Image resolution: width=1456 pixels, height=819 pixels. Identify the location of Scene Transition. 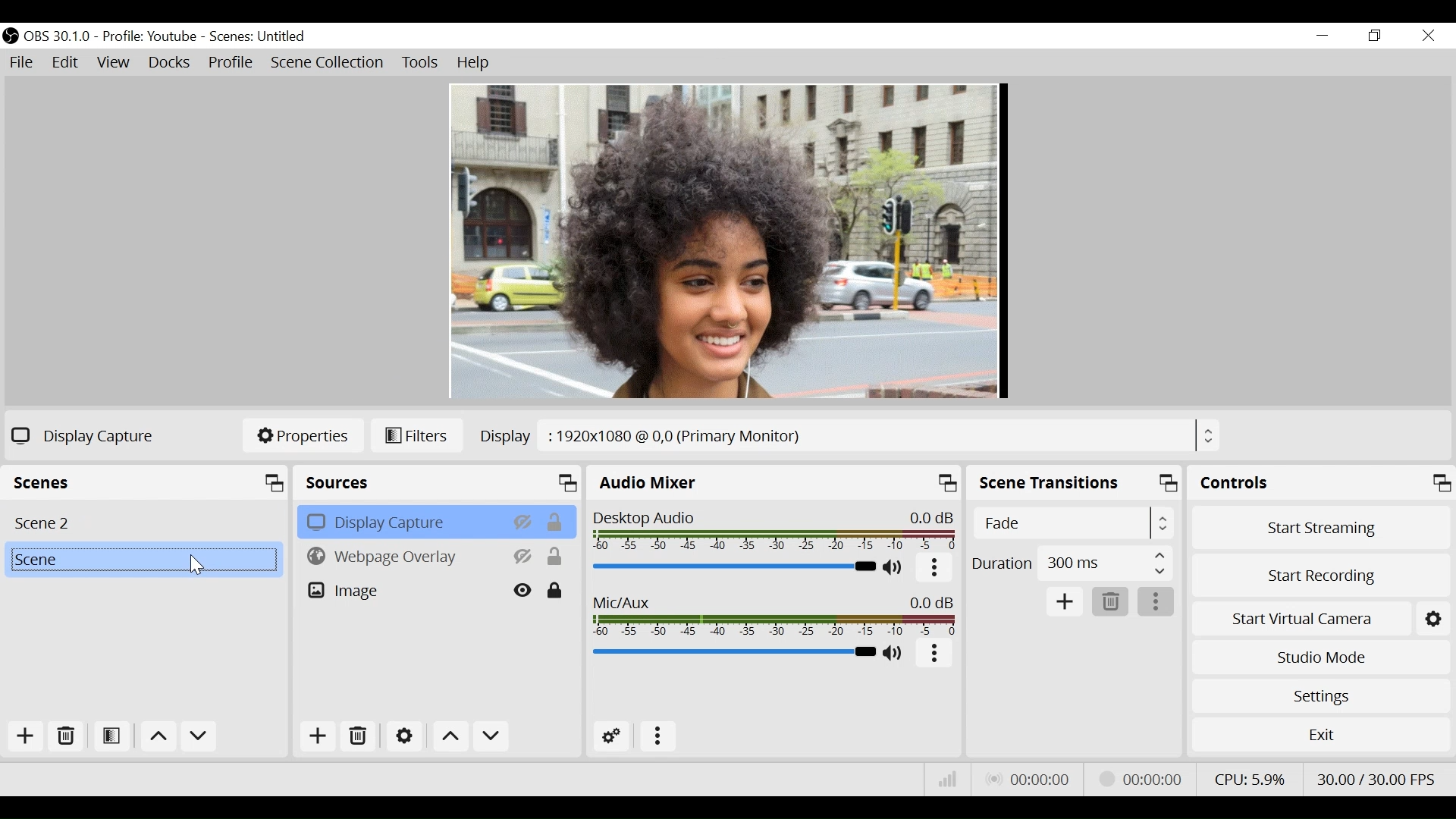
(1075, 483).